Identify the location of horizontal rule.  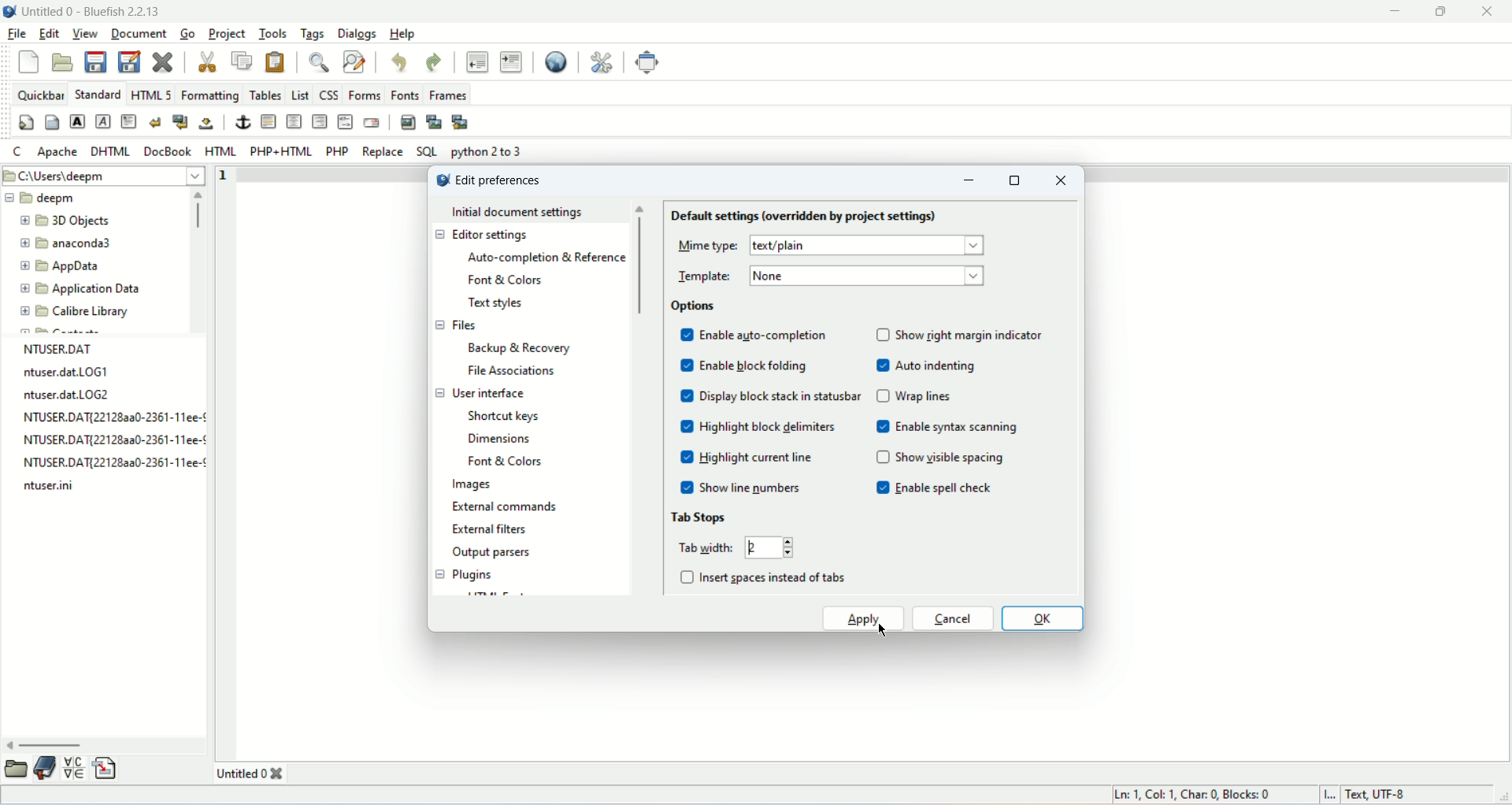
(268, 122).